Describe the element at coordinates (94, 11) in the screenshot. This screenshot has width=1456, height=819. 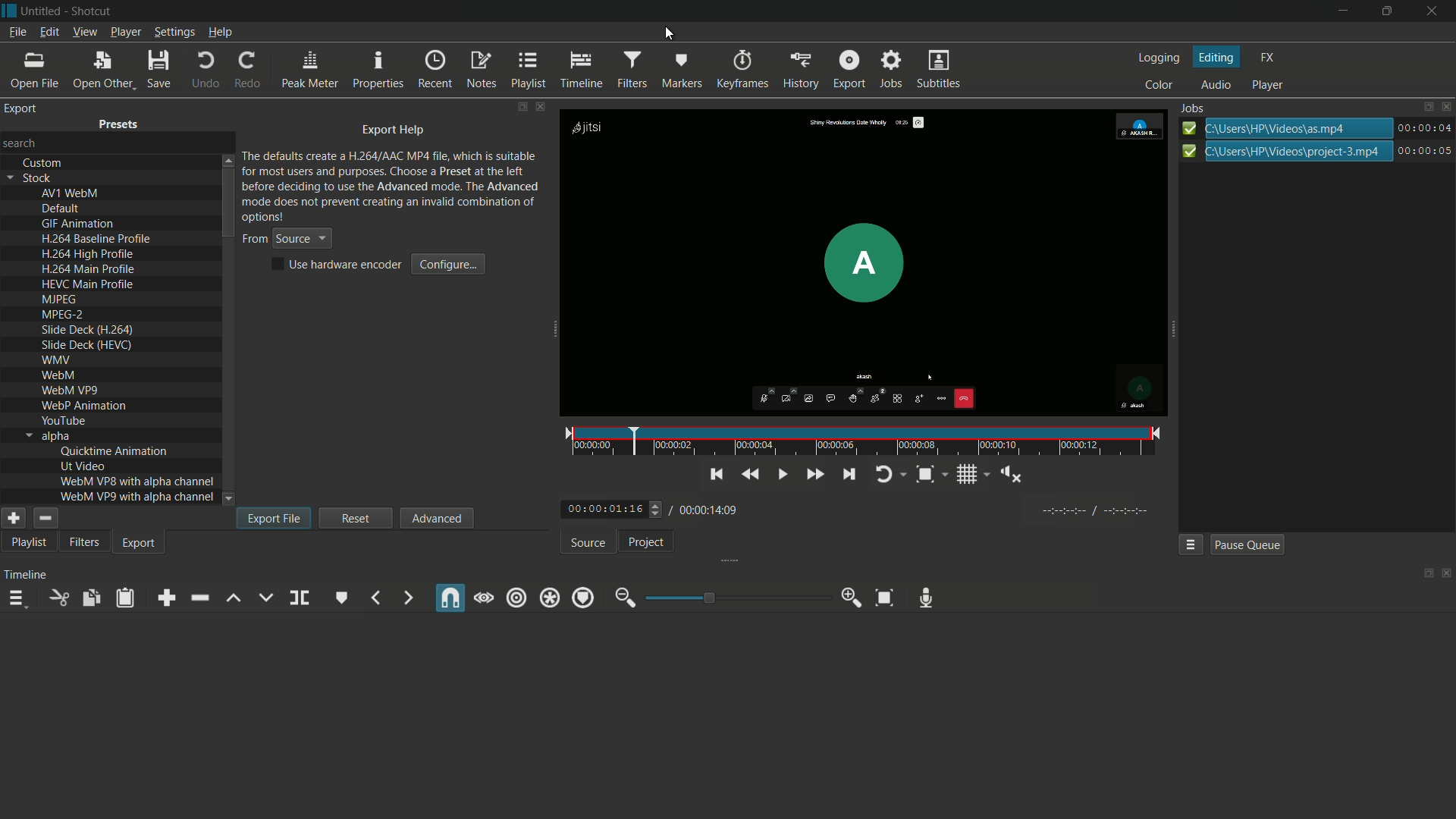
I see `app name` at that location.